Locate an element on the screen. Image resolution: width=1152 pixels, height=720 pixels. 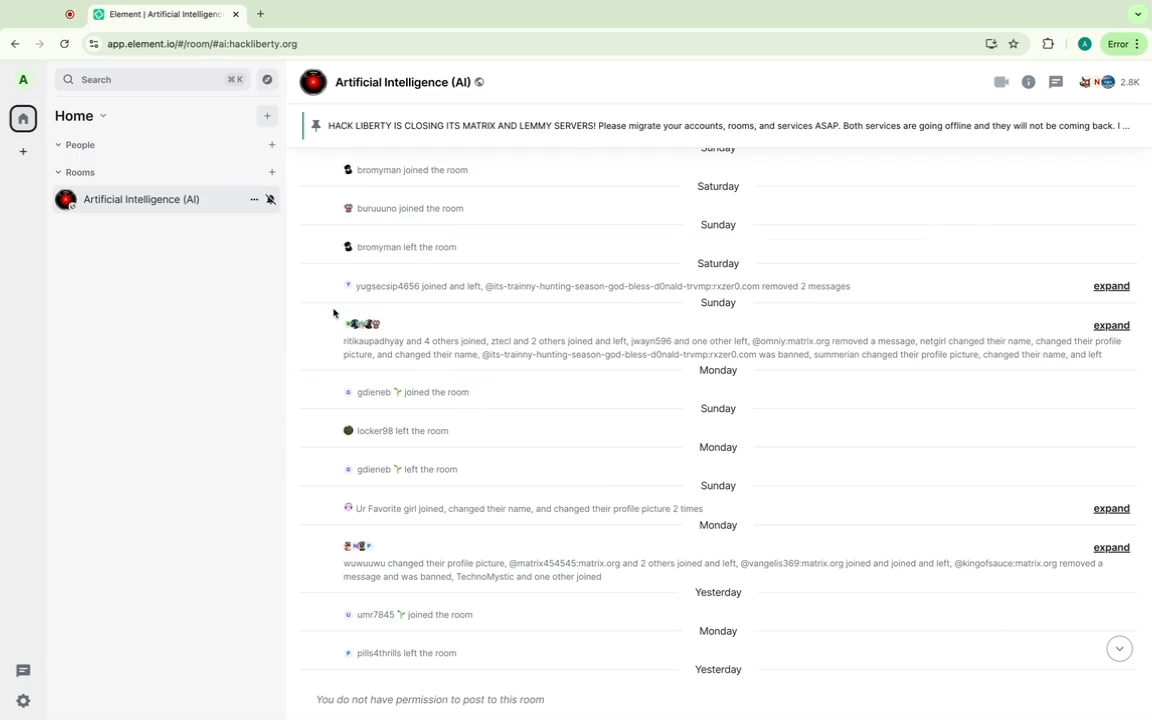
Day is located at coordinates (714, 225).